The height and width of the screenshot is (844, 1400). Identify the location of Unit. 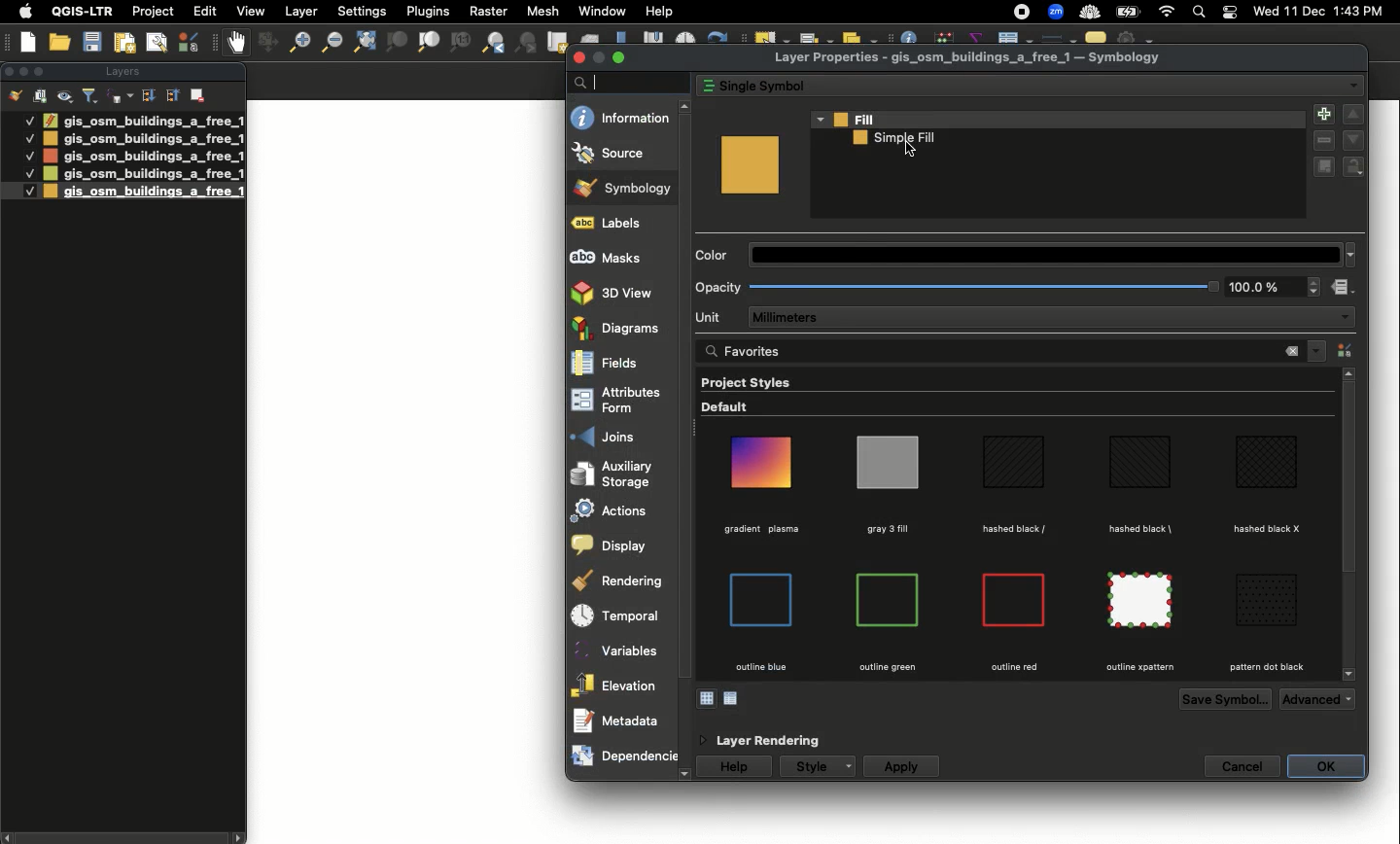
(715, 318).